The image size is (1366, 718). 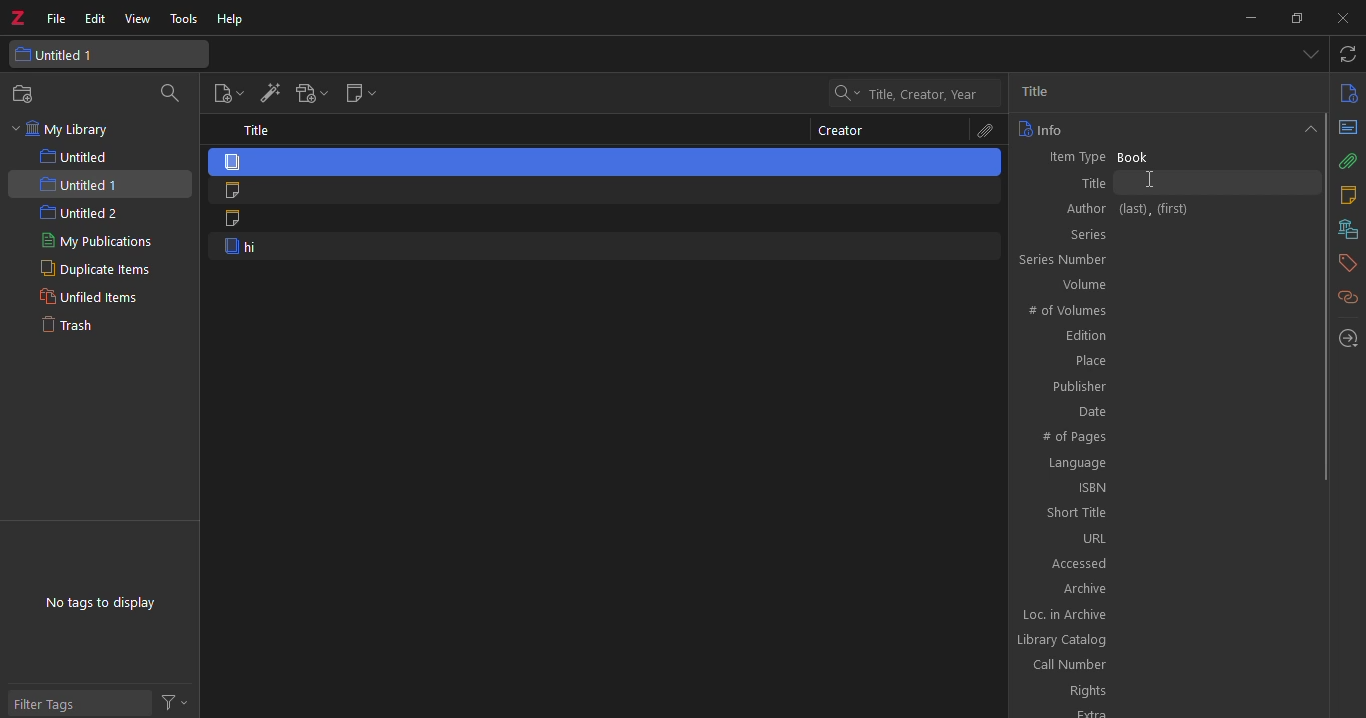 What do you see at coordinates (602, 191) in the screenshot?
I see `note` at bounding box center [602, 191].